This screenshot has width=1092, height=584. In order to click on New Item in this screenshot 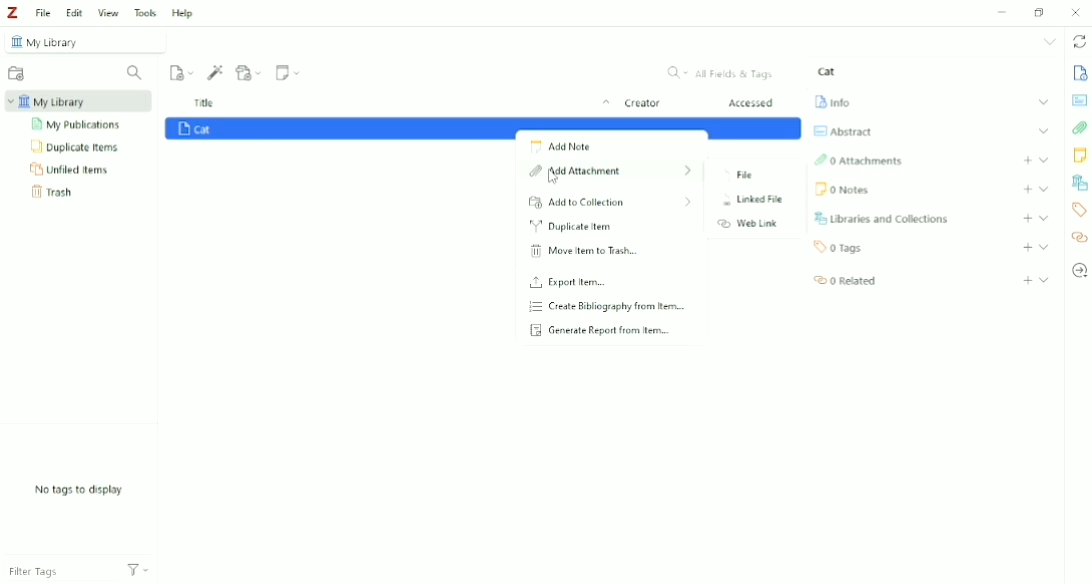, I will do `click(182, 71)`.